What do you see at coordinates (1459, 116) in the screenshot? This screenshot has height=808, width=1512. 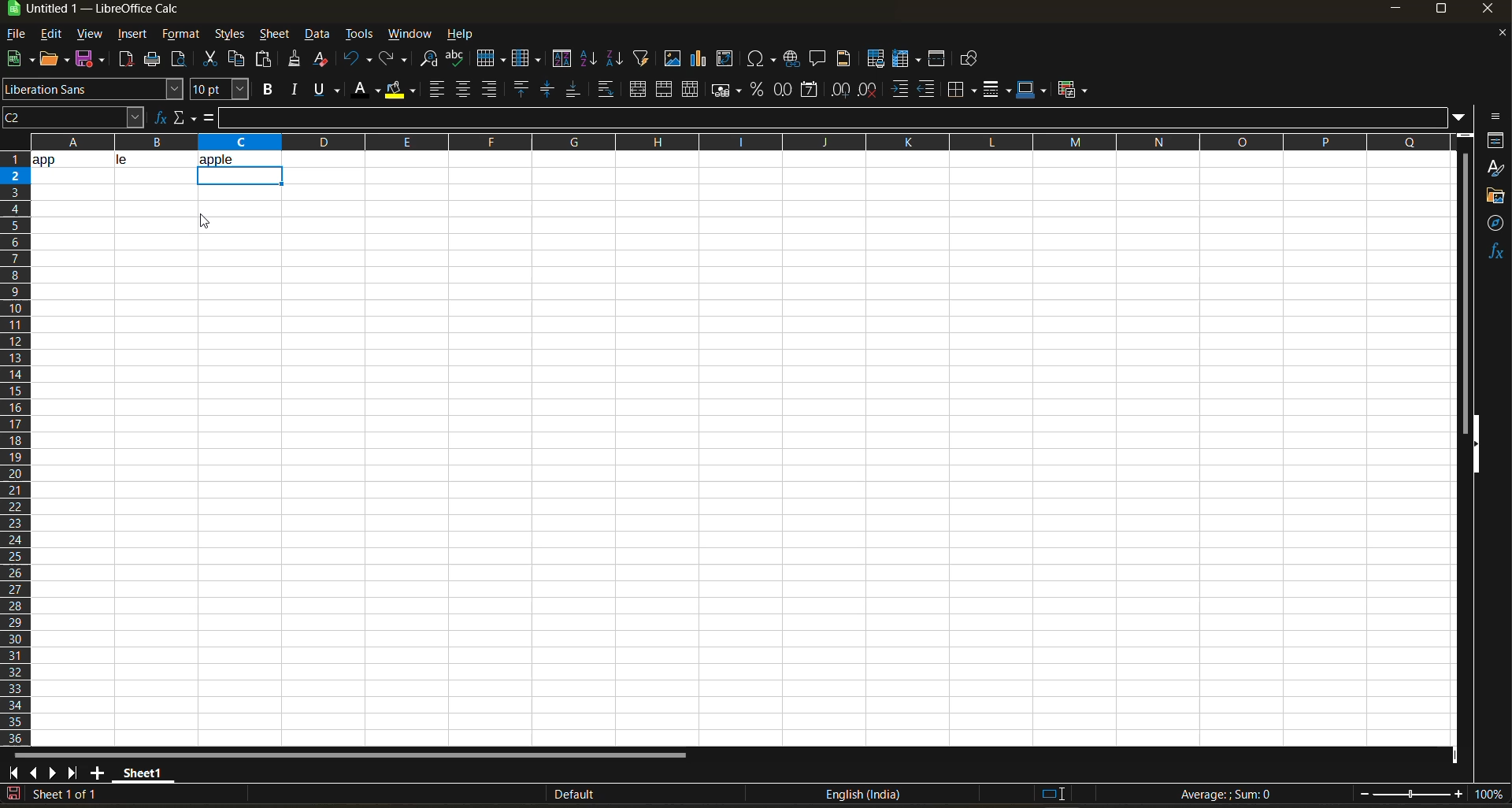 I see `expand formula bar` at bounding box center [1459, 116].